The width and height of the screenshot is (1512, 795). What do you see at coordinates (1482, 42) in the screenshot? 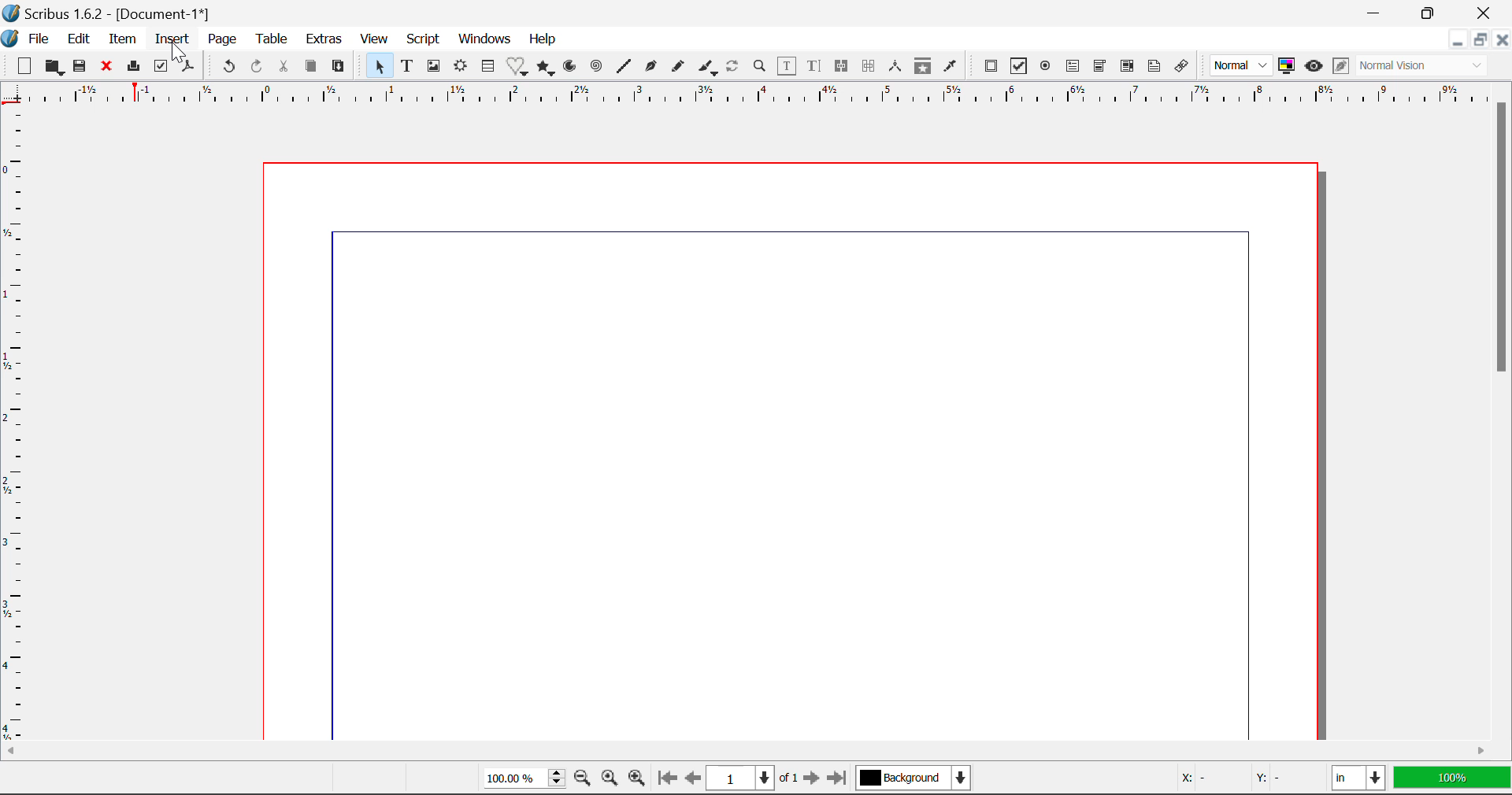
I see `Minimize` at bounding box center [1482, 42].